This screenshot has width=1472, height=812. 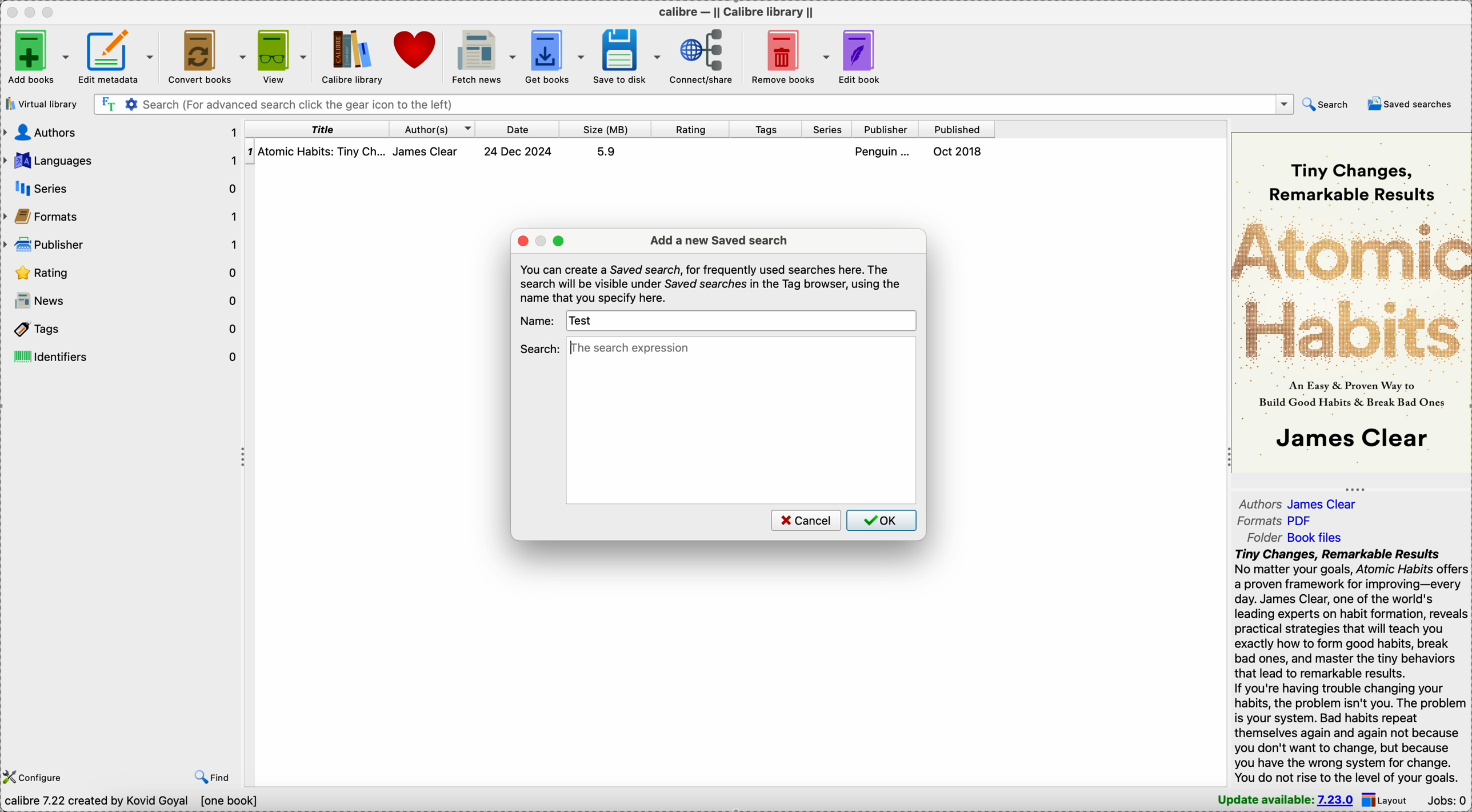 I want to click on toggle expand/contract, so click(x=1355, y=489).